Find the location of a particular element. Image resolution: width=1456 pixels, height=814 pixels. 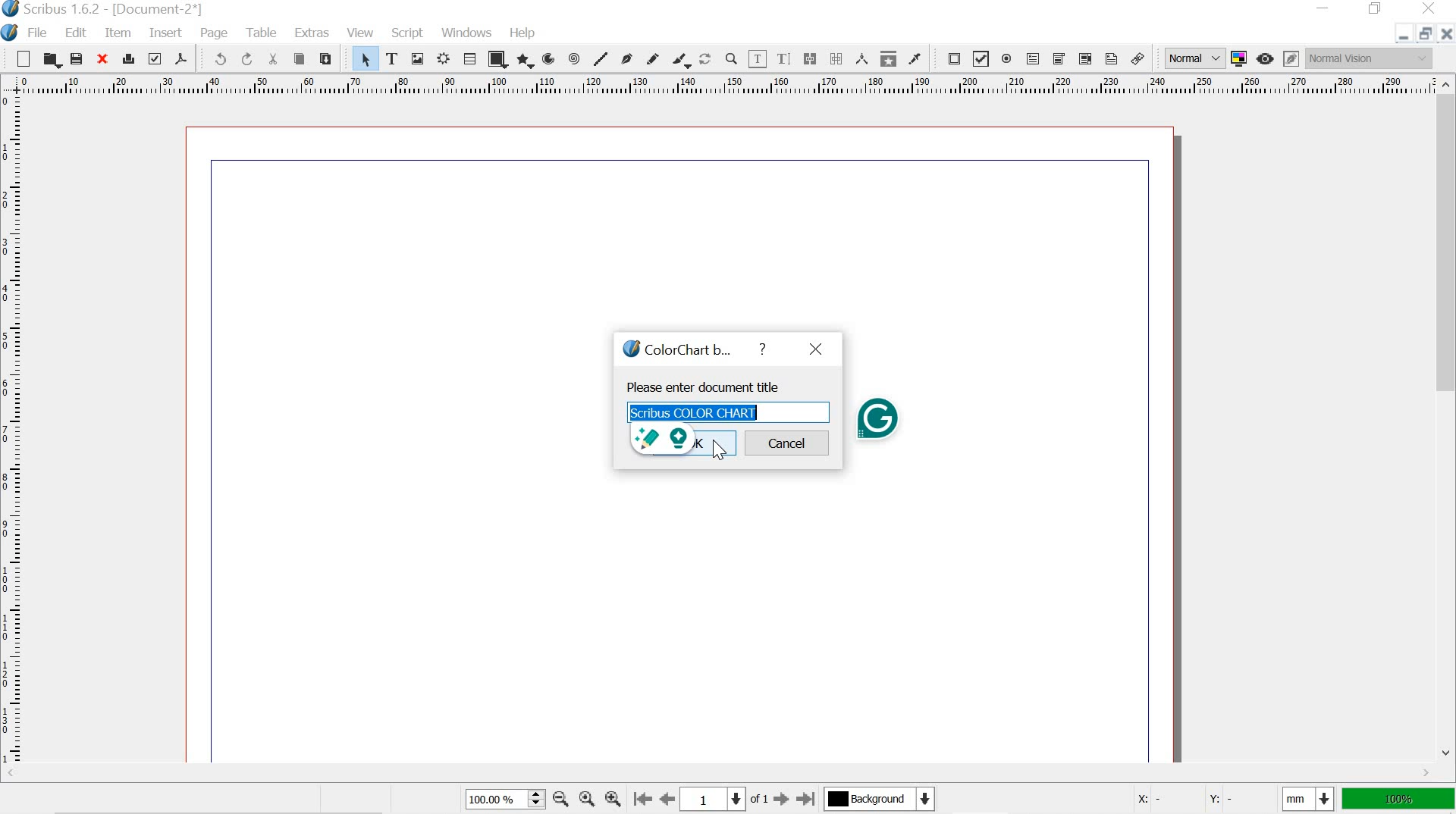

new is located at coordinates (18, 58).